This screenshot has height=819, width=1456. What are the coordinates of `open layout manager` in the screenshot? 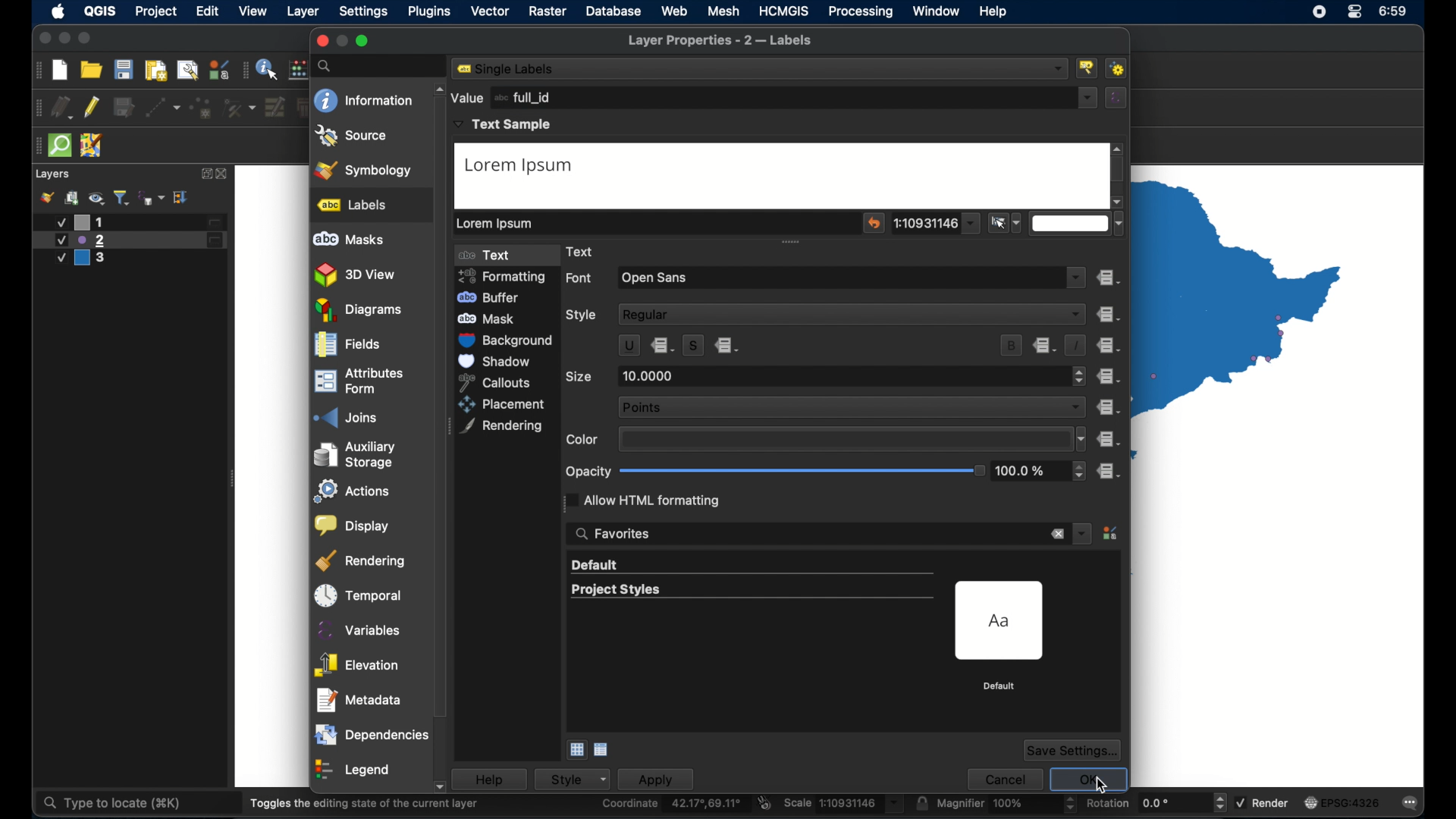 It's located at (187, 71).